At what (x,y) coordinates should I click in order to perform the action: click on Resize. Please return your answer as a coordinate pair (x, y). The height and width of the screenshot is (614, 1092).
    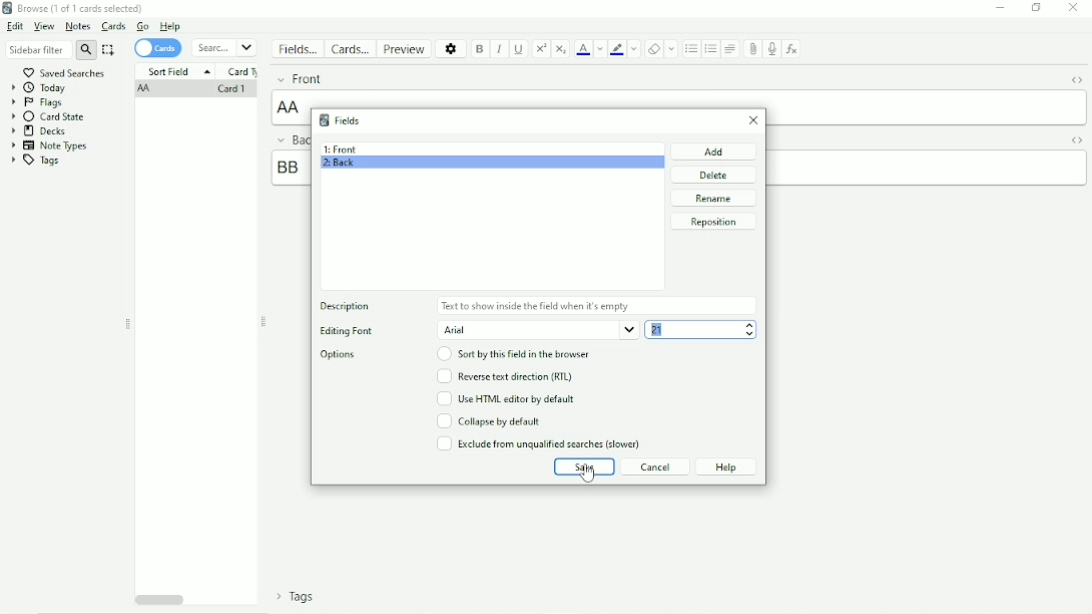
    Looking at the image, I should click on (264, 322).